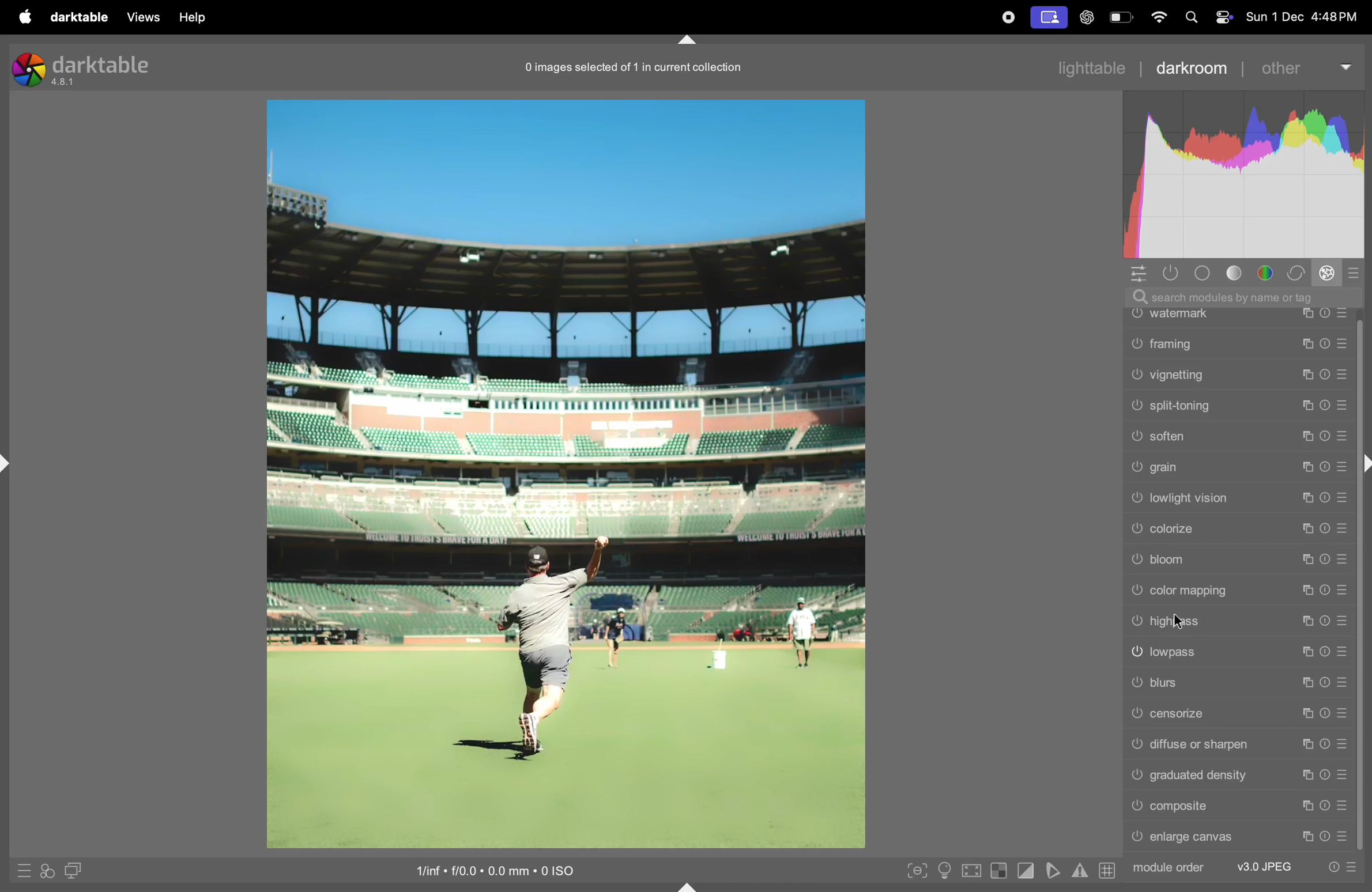 This screenshot has height=892, width=1372. What do you see at coordinates (1239, 499) in the screenshot?
I see `light vision` at bounding box center [1239, 499].